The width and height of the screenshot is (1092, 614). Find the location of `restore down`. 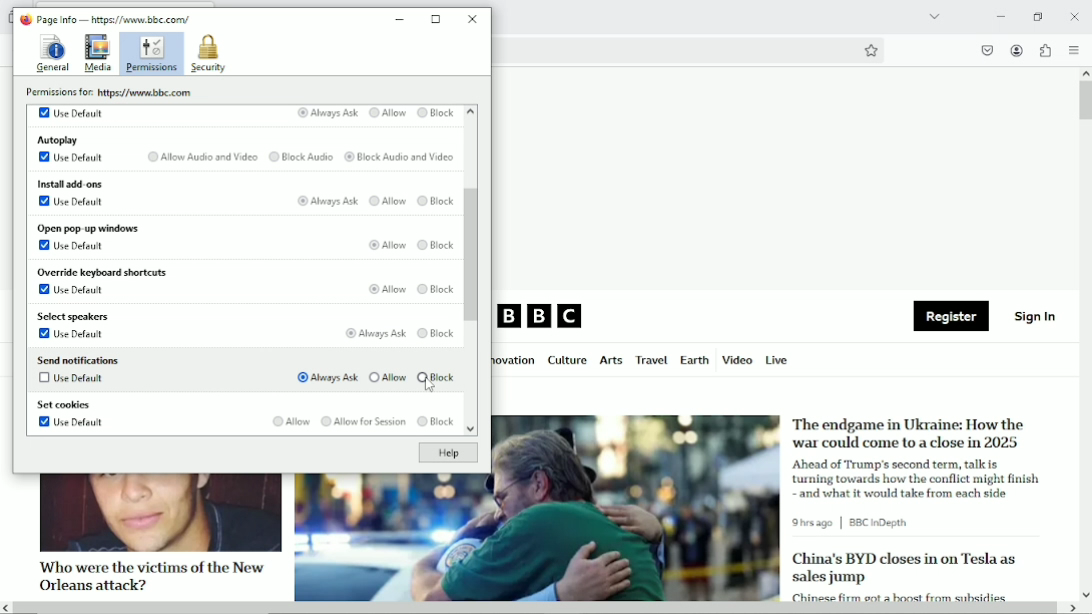

restore down is located at coordinates (1039, 16).